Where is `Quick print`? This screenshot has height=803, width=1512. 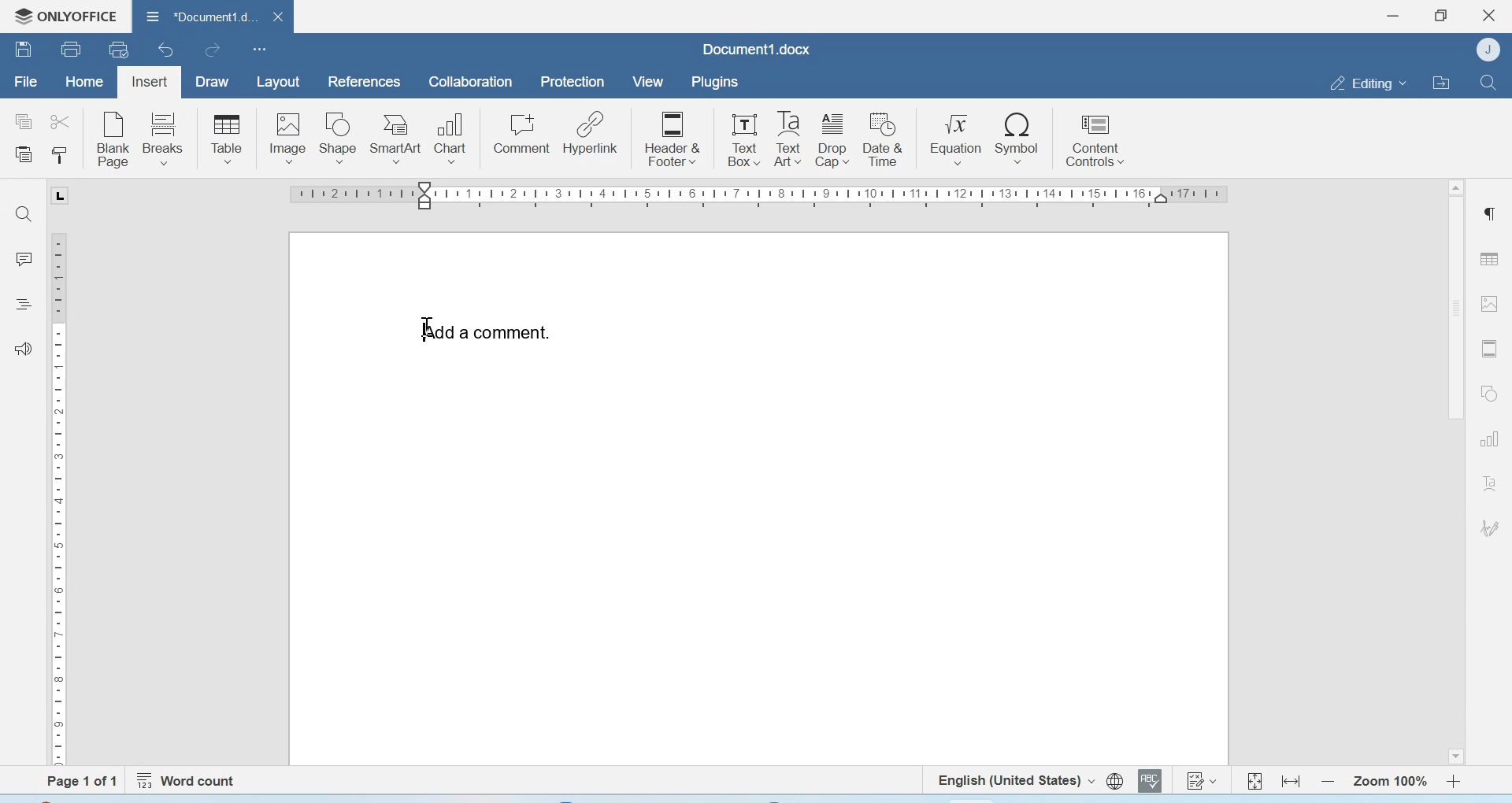
Quick print is located at coordinates (119, 49).